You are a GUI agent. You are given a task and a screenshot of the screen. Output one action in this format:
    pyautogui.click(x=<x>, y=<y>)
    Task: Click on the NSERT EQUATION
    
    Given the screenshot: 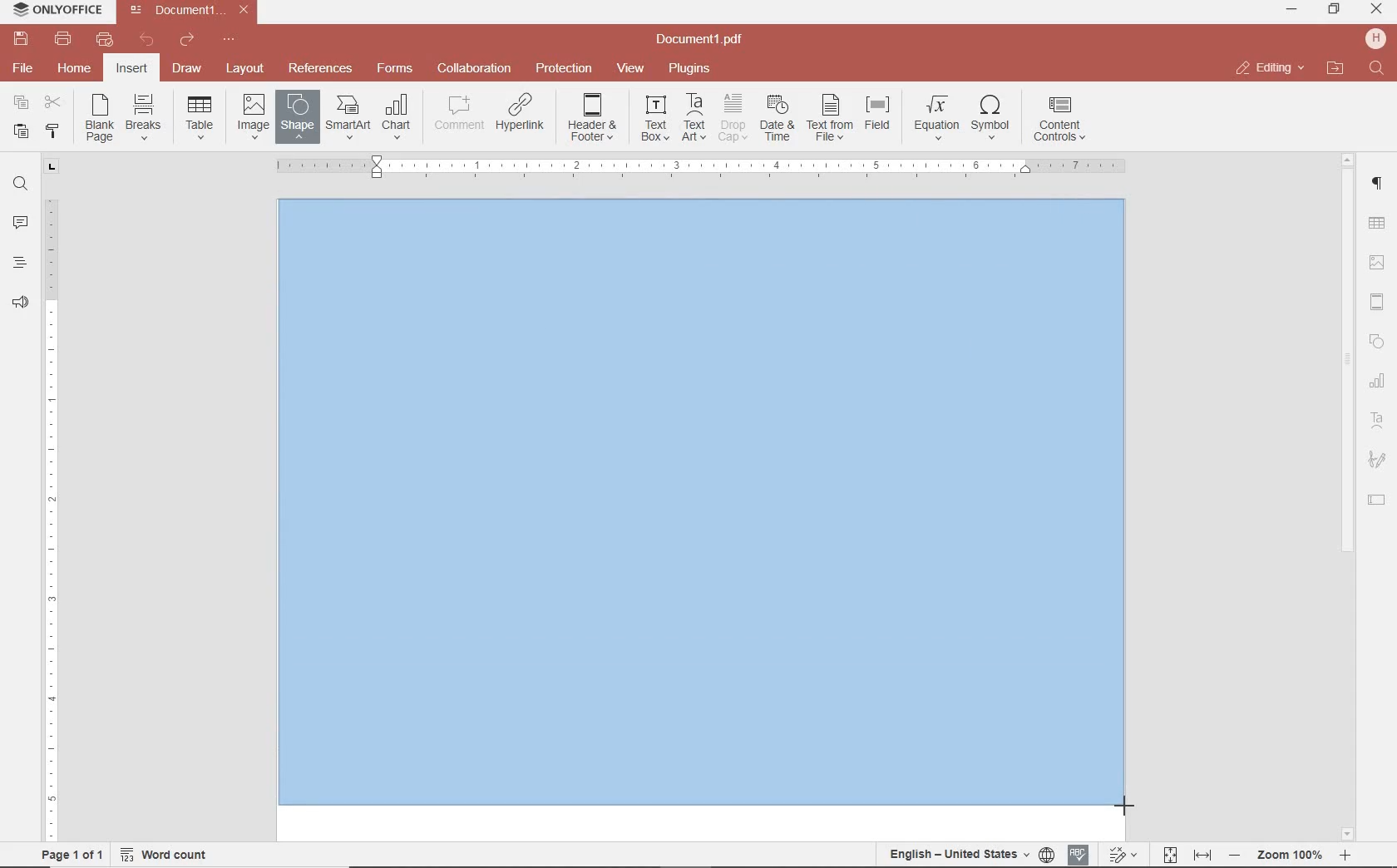 What is the action you would take?
    pyautogui.click(x=935, y=116)
    